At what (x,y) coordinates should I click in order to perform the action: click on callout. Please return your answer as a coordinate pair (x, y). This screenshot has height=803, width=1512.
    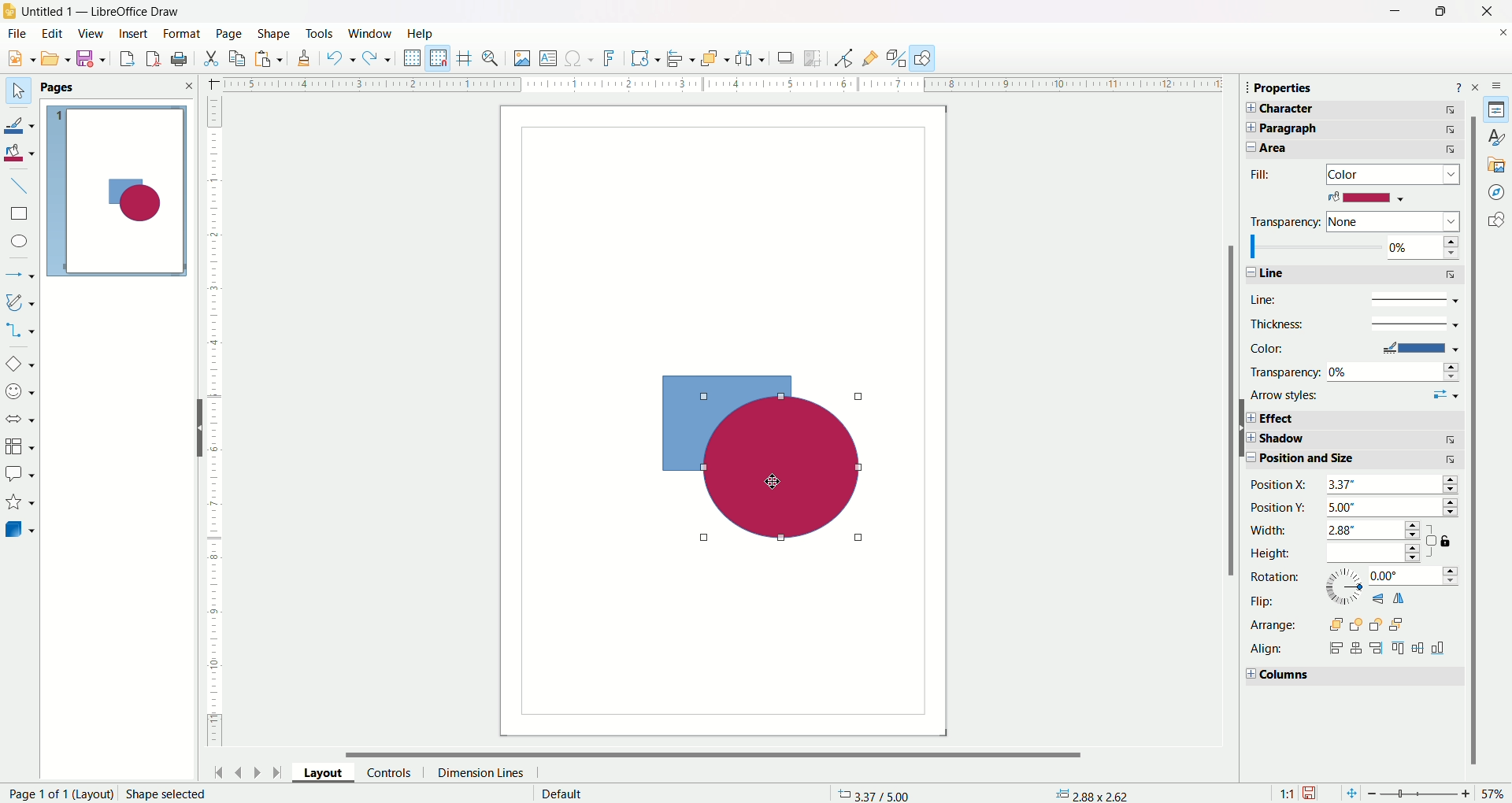
    Looking at the image, I should click on (20, 473).